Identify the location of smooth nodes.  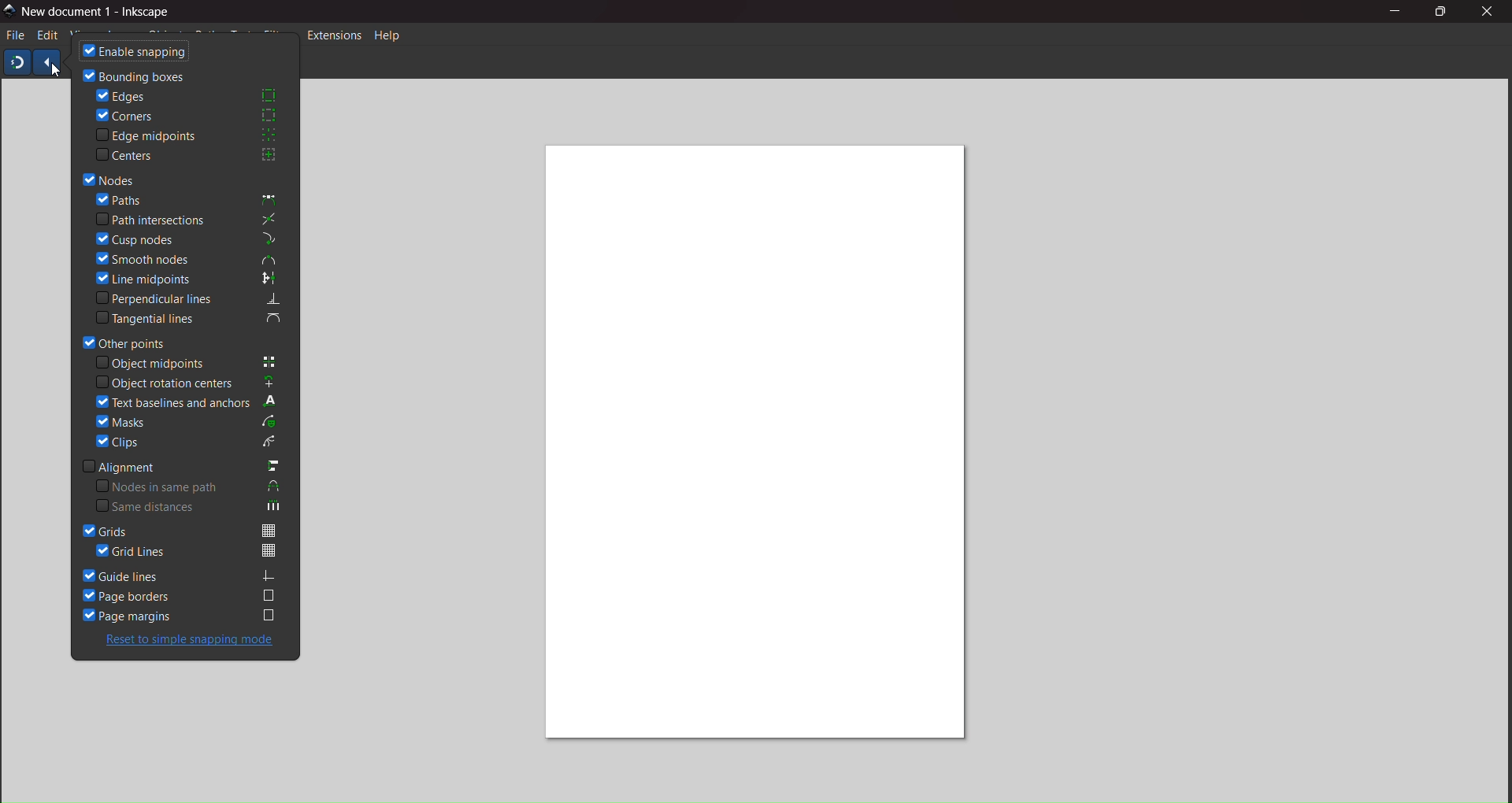
(189, 259).